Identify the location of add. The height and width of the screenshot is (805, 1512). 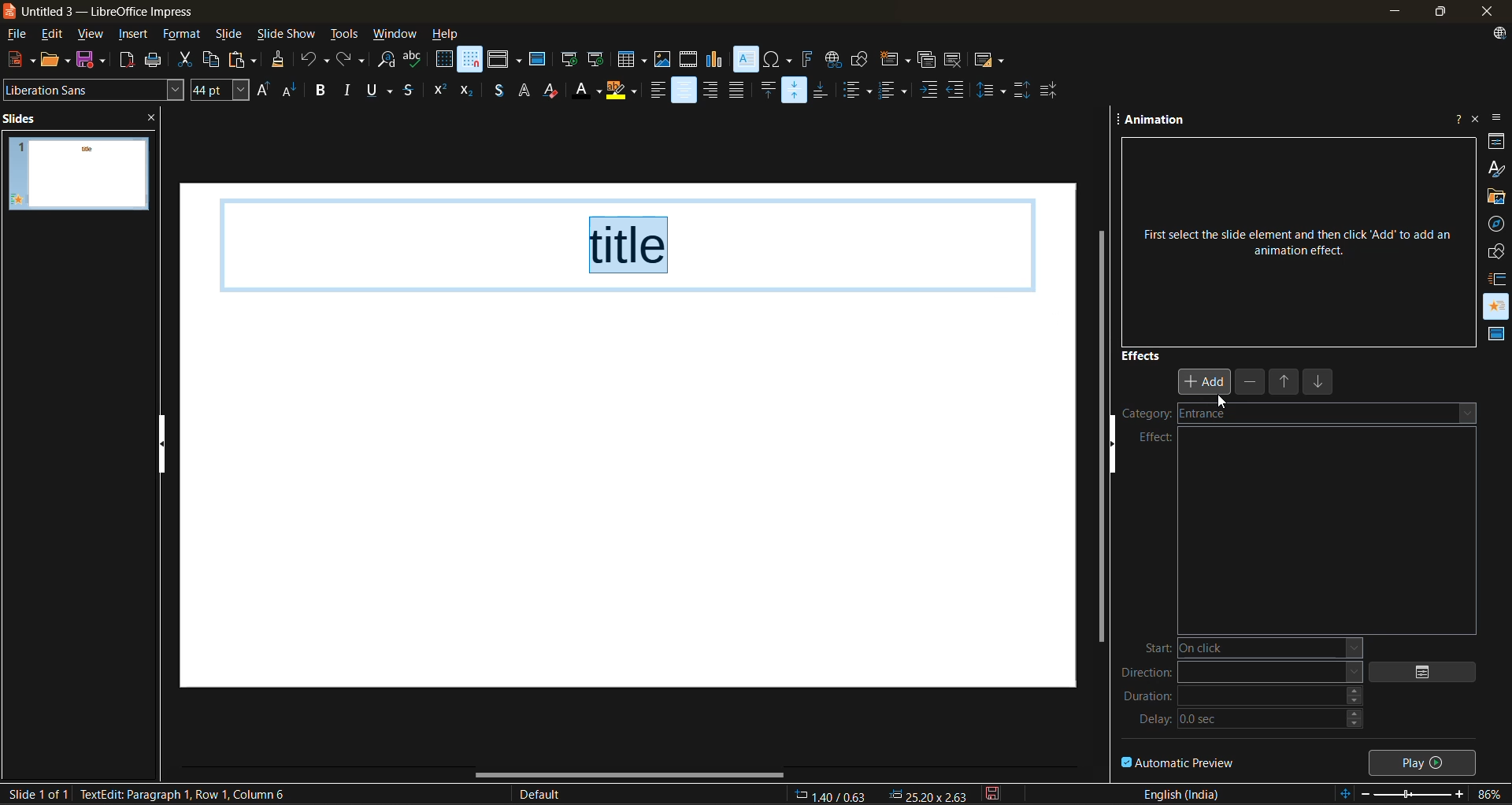
(1206, 380).